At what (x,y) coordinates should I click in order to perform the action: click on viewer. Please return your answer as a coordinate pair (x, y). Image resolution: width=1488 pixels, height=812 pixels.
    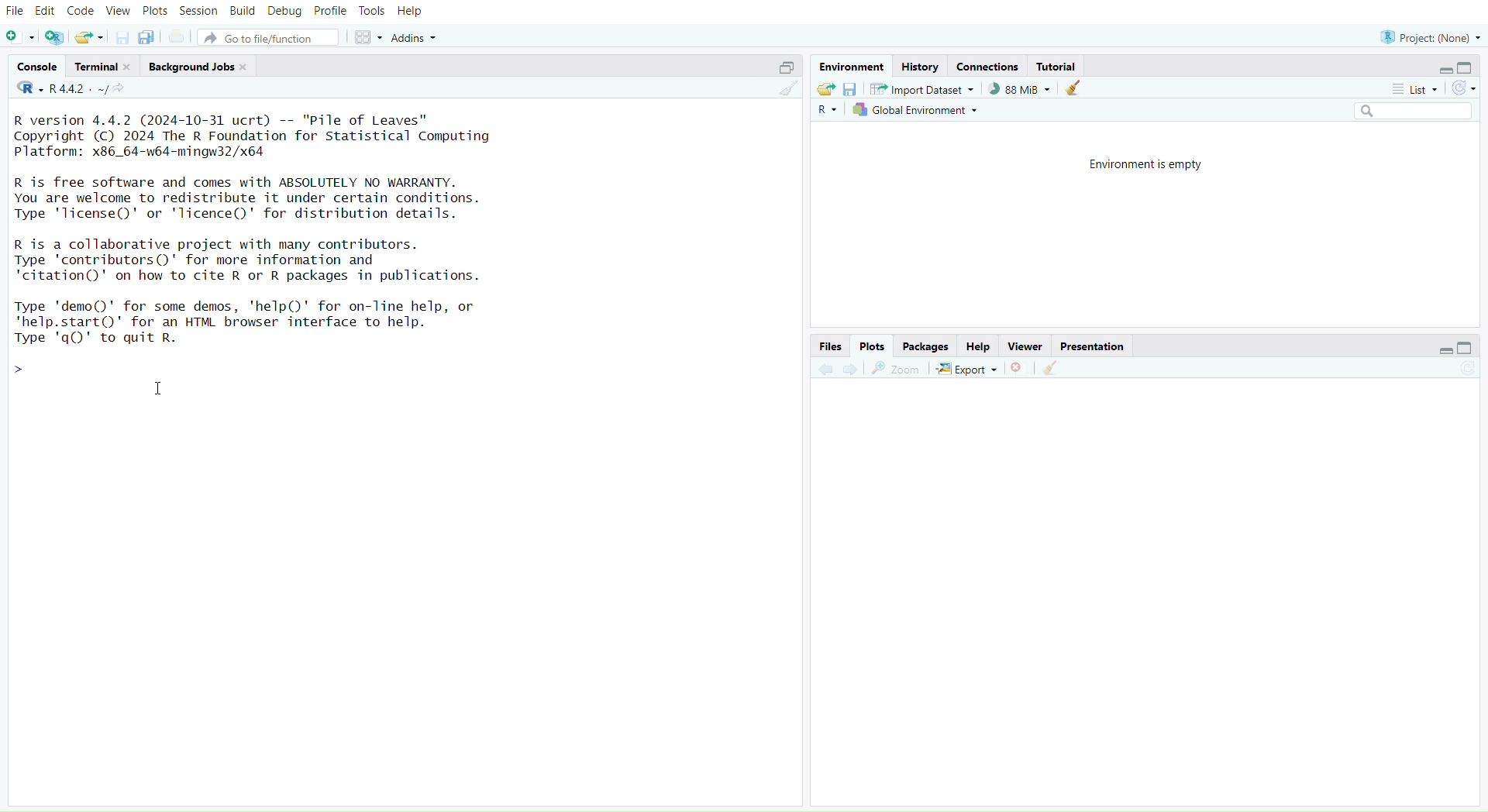
    Looking at the image, I should click on (1026, 347).